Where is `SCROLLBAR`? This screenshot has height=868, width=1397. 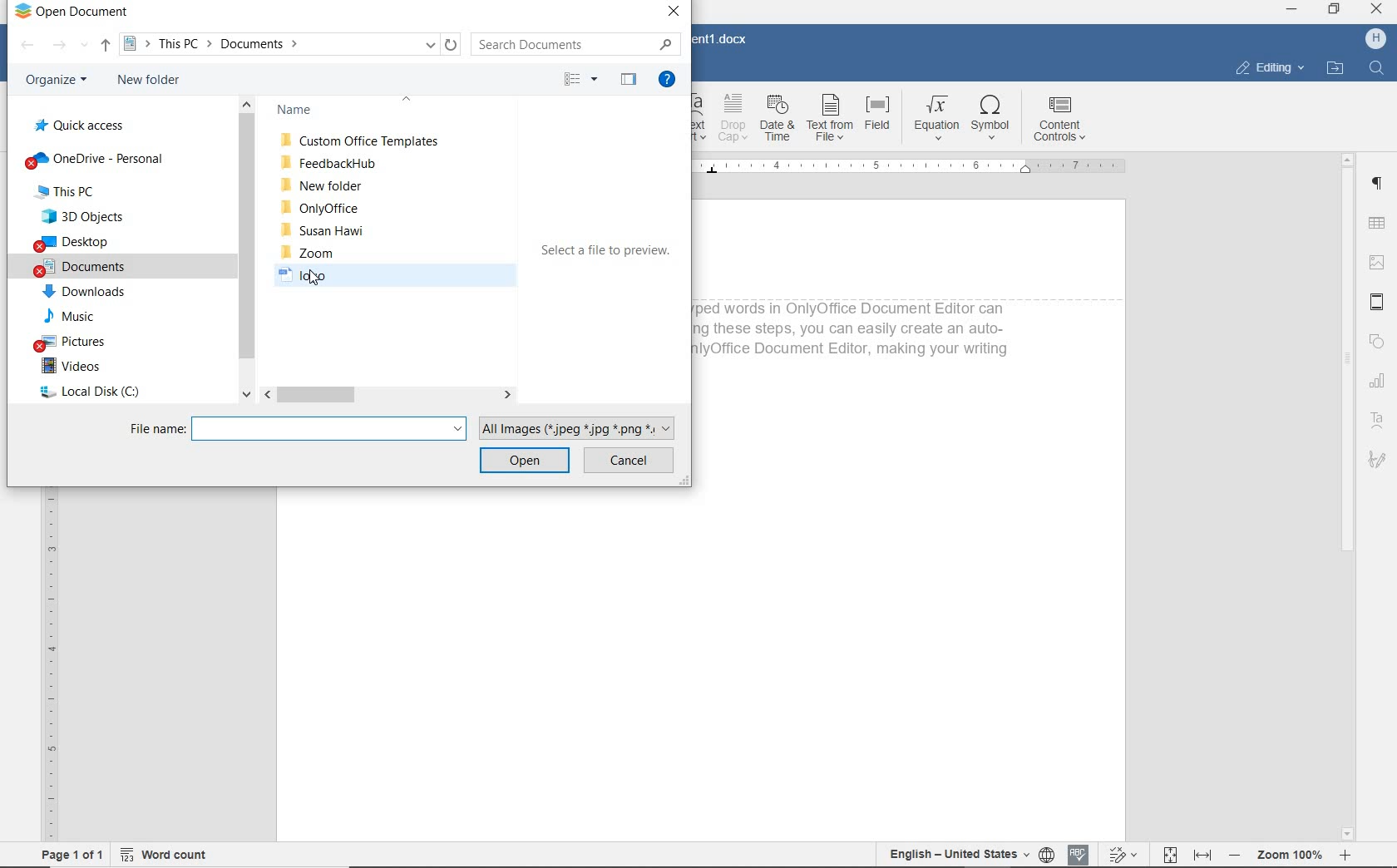 SCROLLBAR is located at coordinates (388, 395).